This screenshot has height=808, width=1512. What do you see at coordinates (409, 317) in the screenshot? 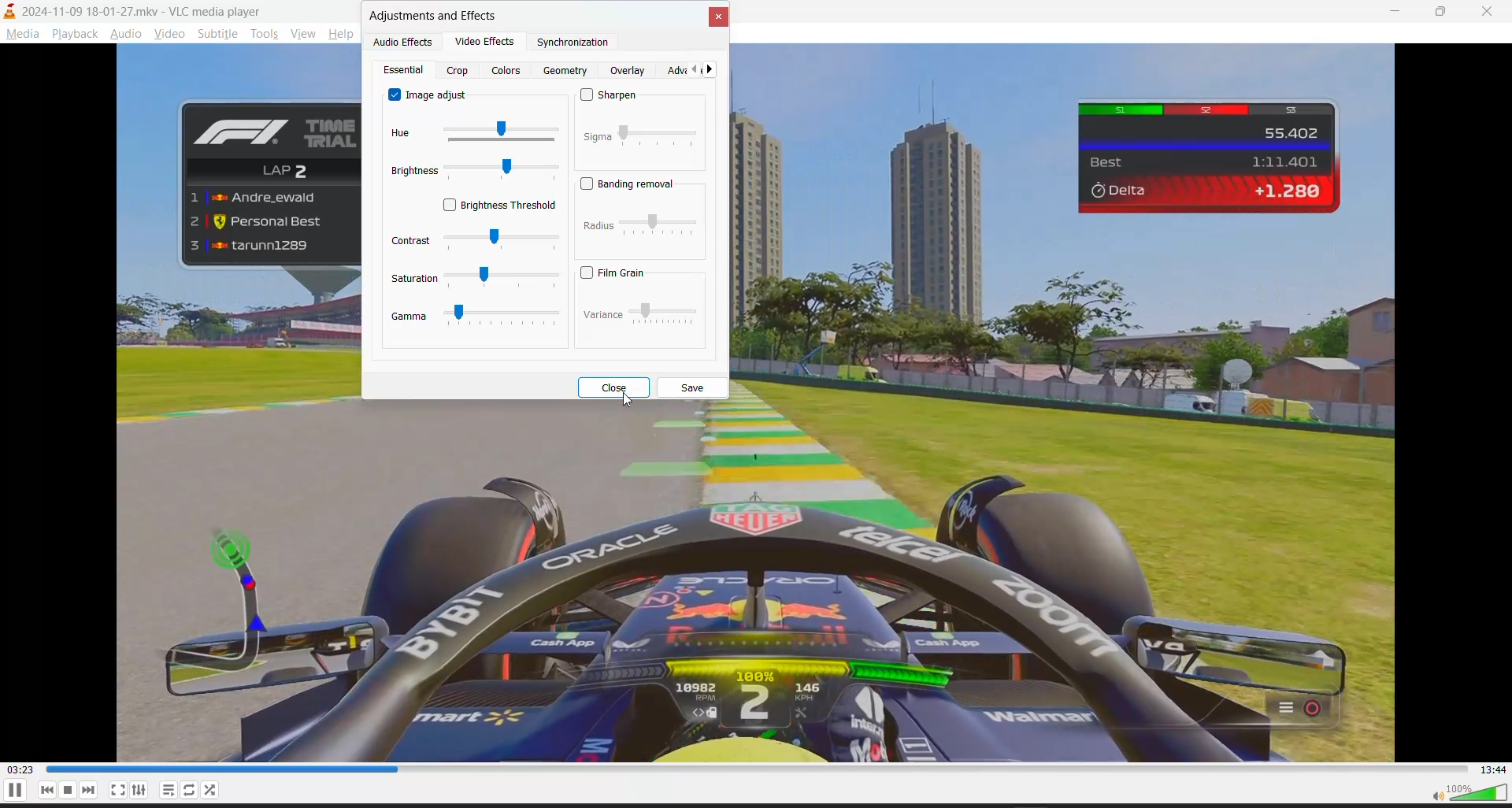
I see `gamma` at bounding box center [409, 317].